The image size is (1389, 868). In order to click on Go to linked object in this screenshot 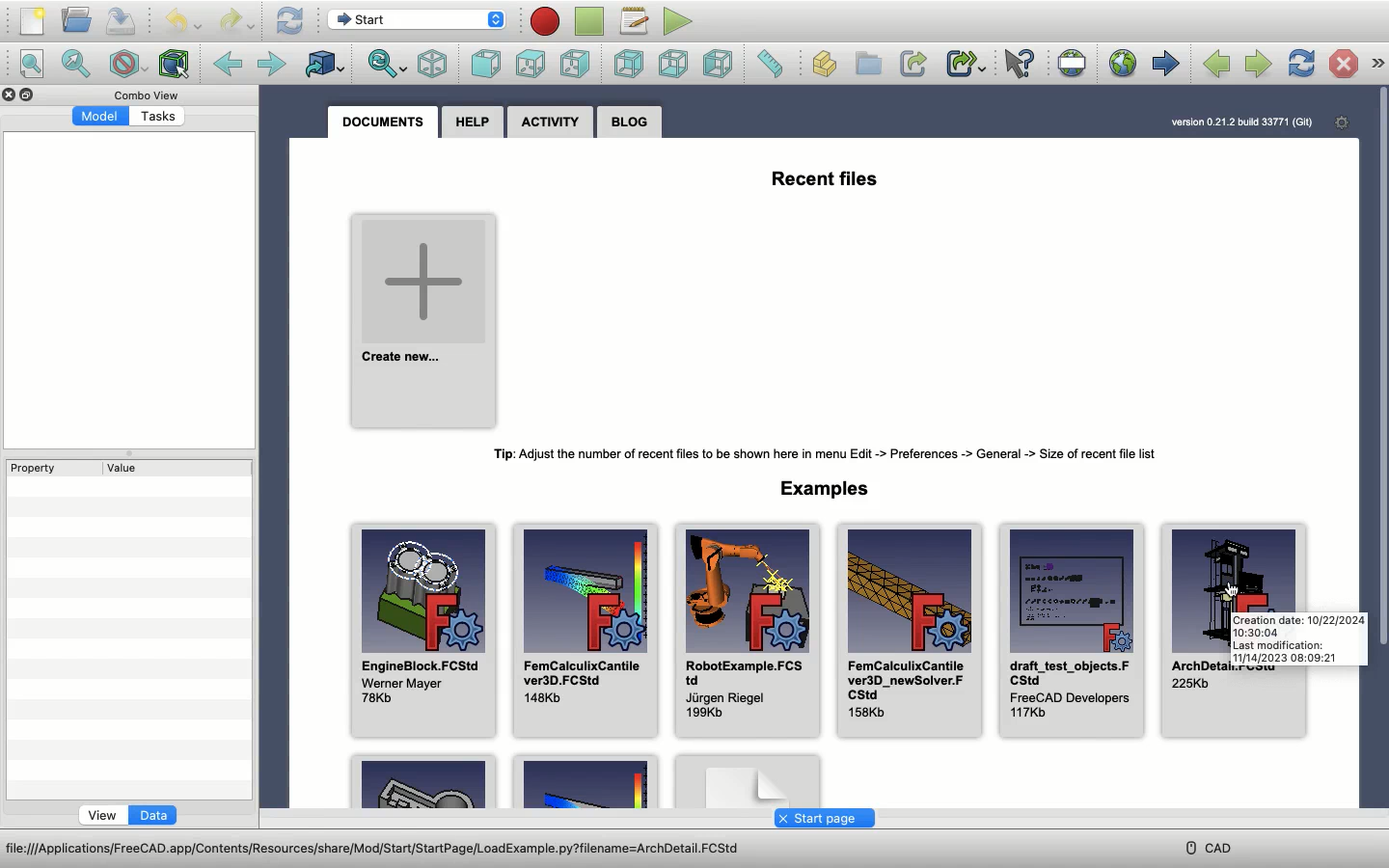, I will do `click(324, 62)`.